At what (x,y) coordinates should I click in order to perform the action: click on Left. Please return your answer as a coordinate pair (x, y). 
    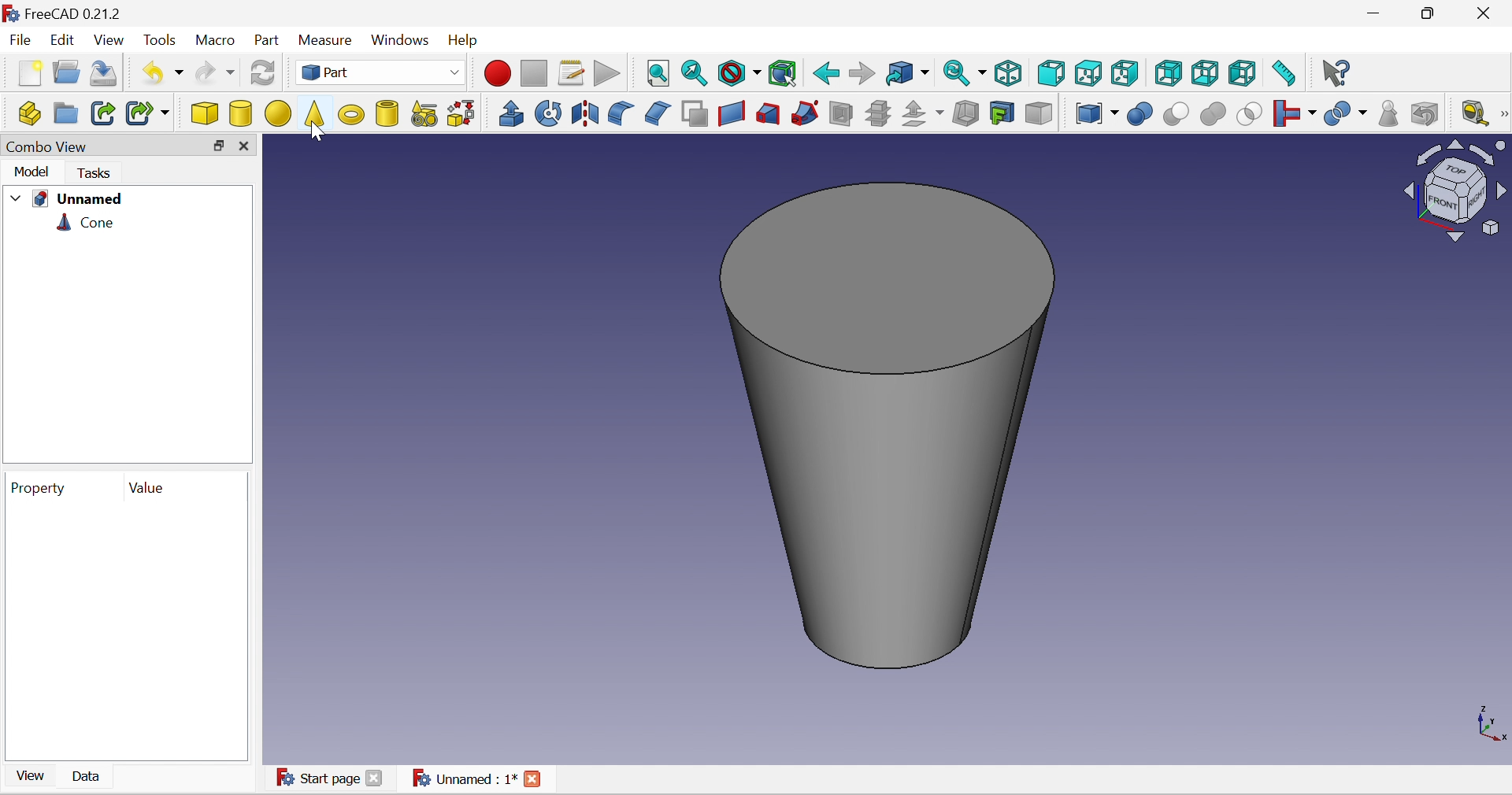
    Looking at the image, I should click on (1242, 72).